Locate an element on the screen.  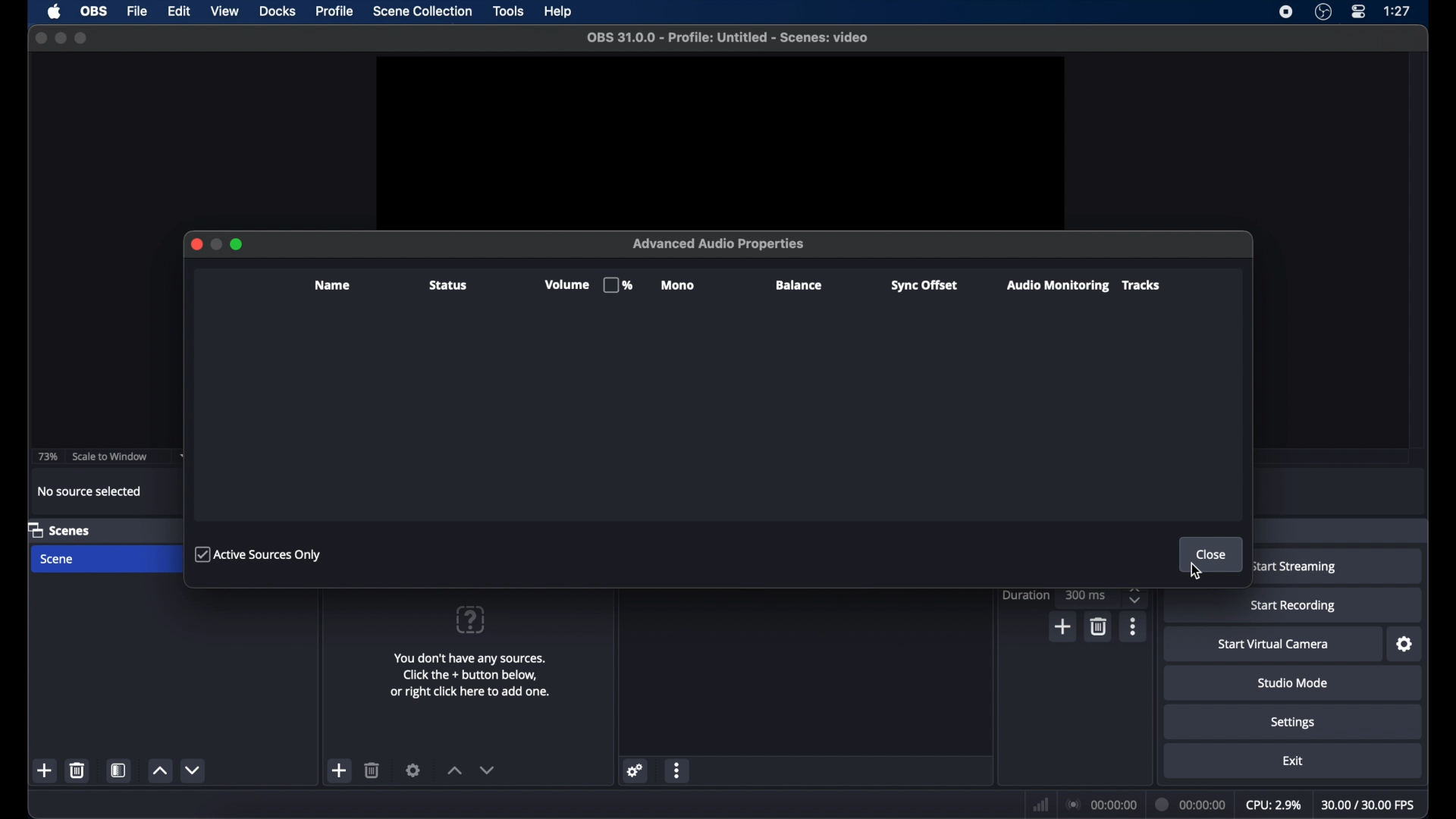
preview is located at coordinates (722, 140).